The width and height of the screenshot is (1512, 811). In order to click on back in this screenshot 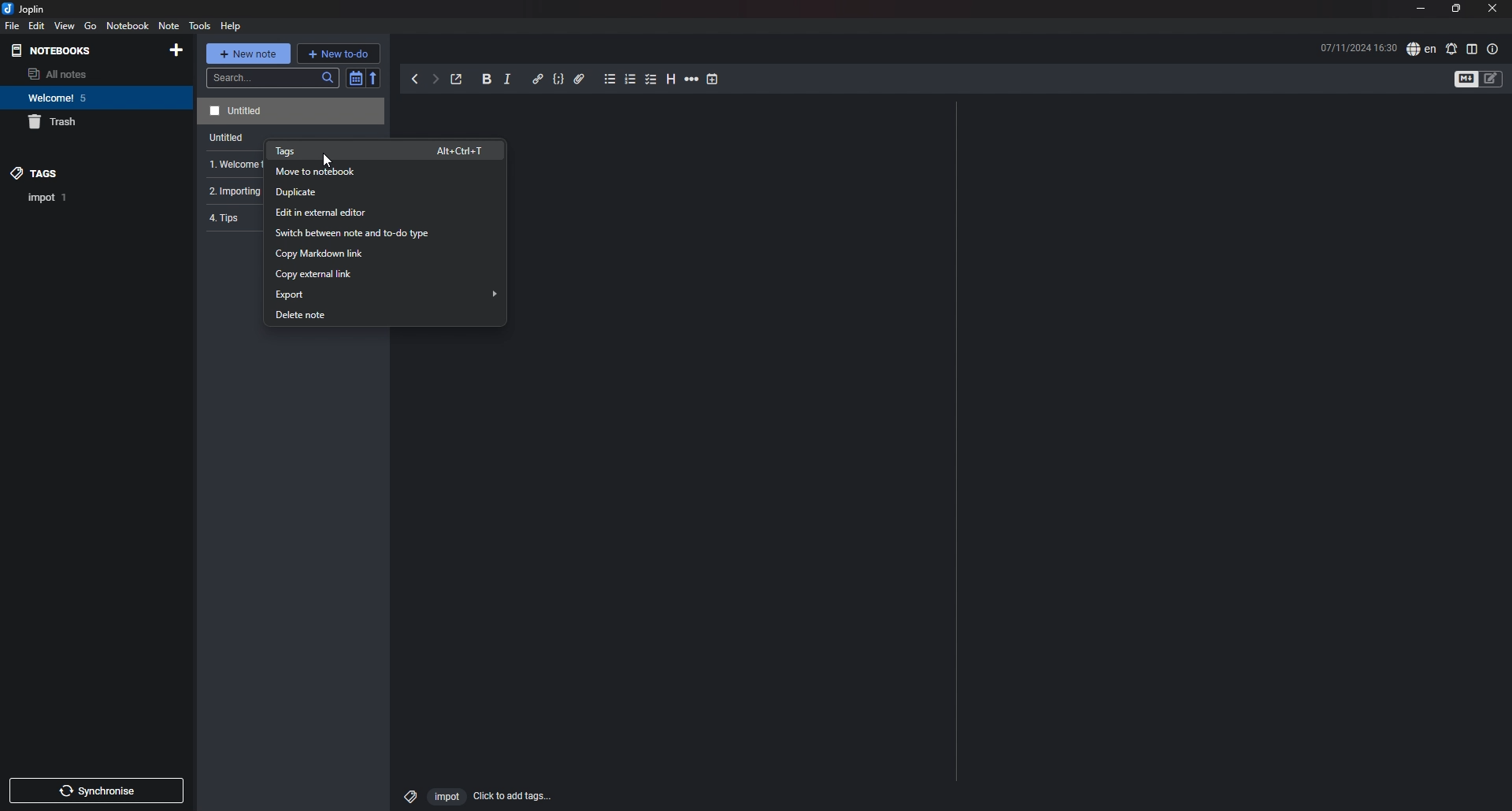, I will do `click(417, 80)`.